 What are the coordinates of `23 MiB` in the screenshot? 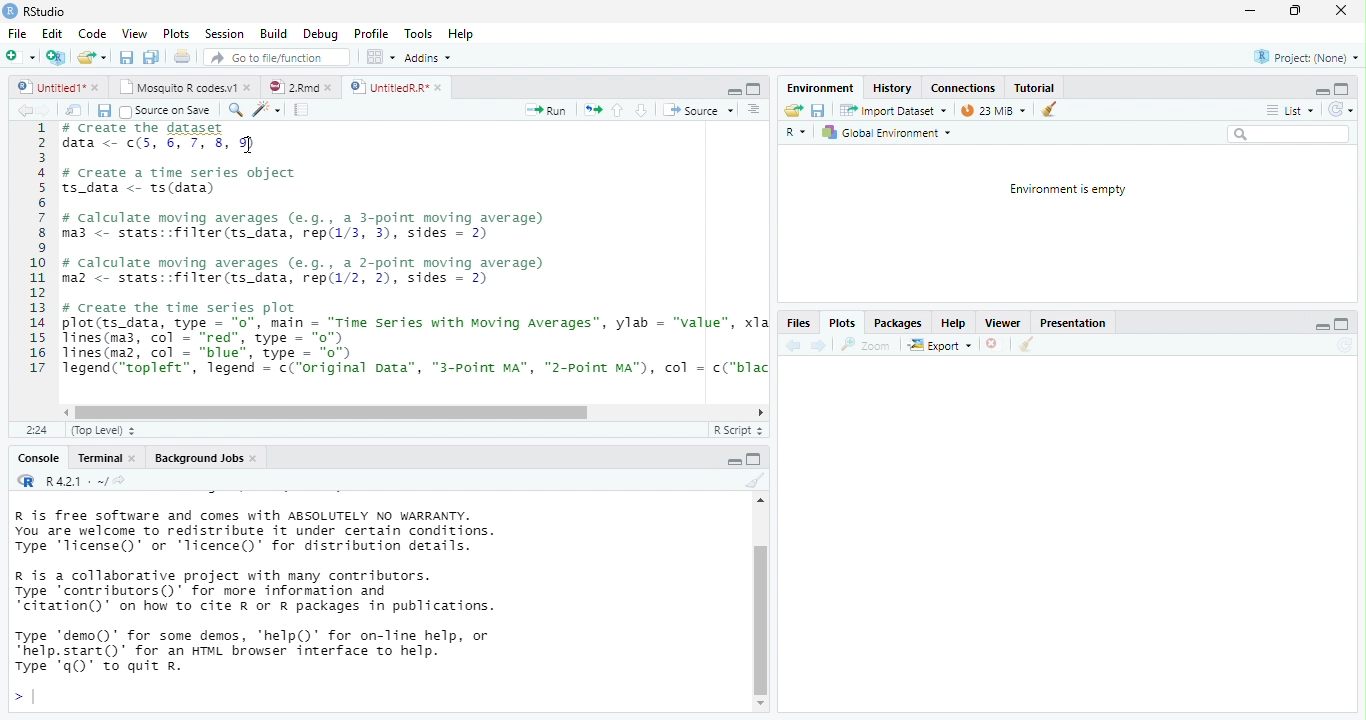 It's located at (992, 110).